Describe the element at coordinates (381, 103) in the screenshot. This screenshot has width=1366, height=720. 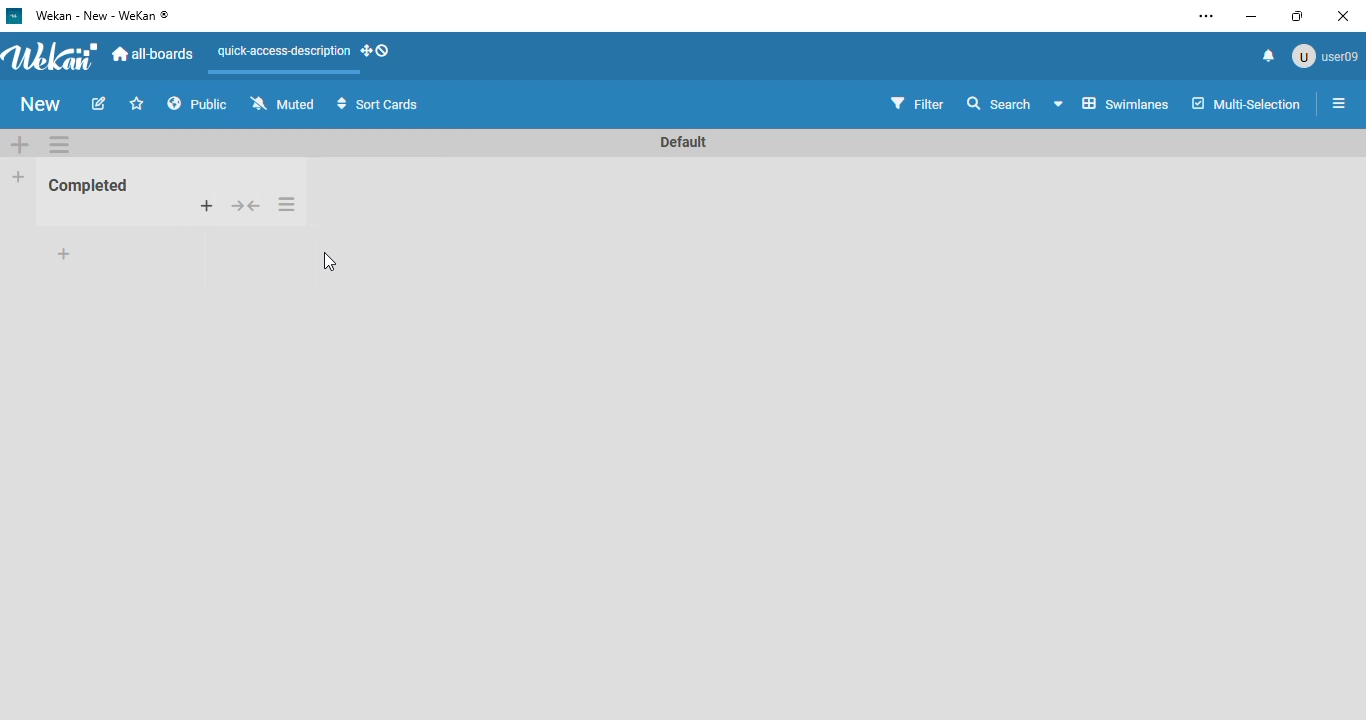
I see `sort cards` at that location.